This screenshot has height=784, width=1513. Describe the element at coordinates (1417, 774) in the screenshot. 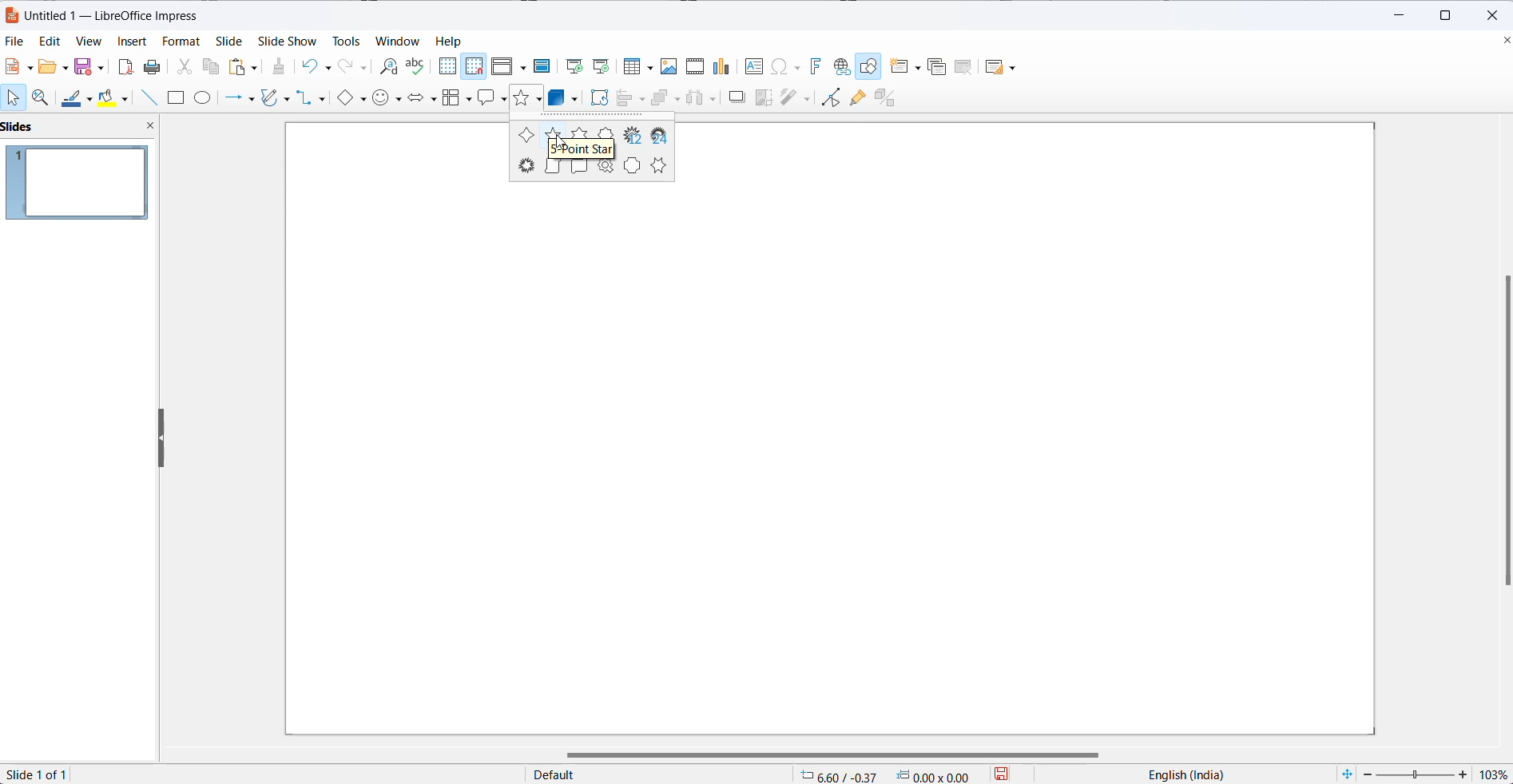

I see `zoom slider` at that location.